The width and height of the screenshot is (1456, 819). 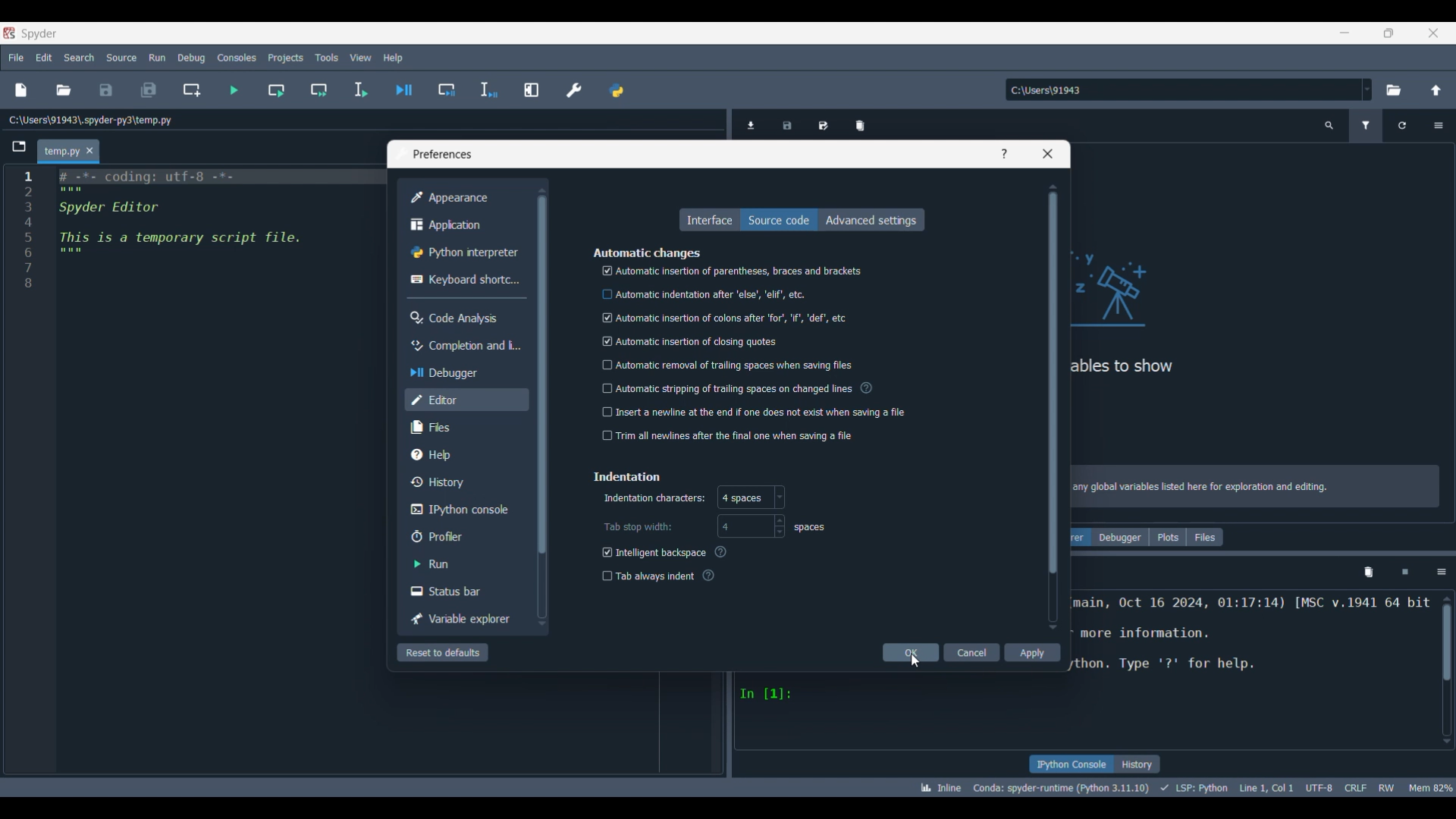 What do you see at coordinates (744, 526) in the screenshot?
I see `Enter width` at bounding box center [744, 526].